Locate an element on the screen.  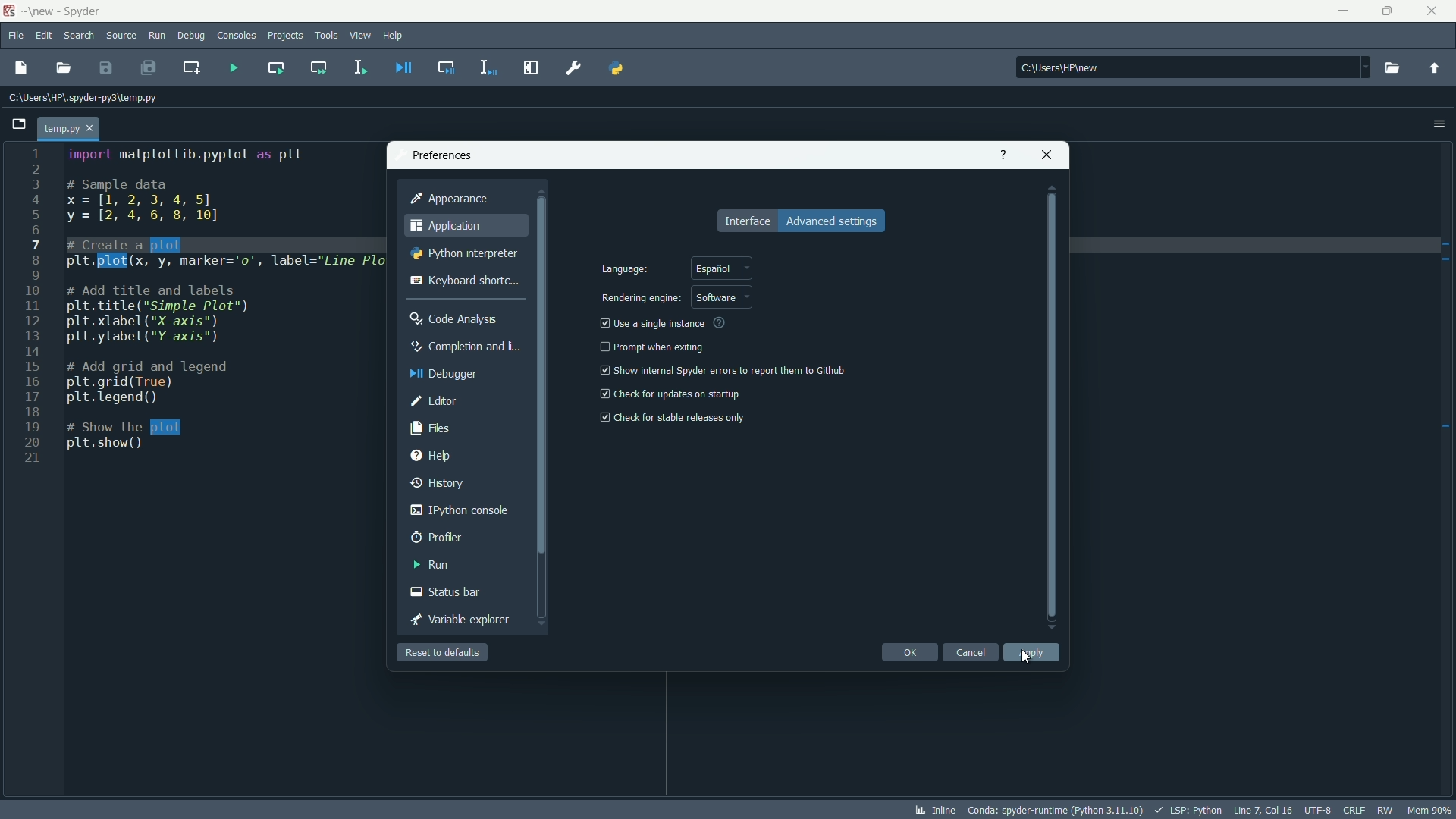
cursor is located at coordinates (1025, 657).